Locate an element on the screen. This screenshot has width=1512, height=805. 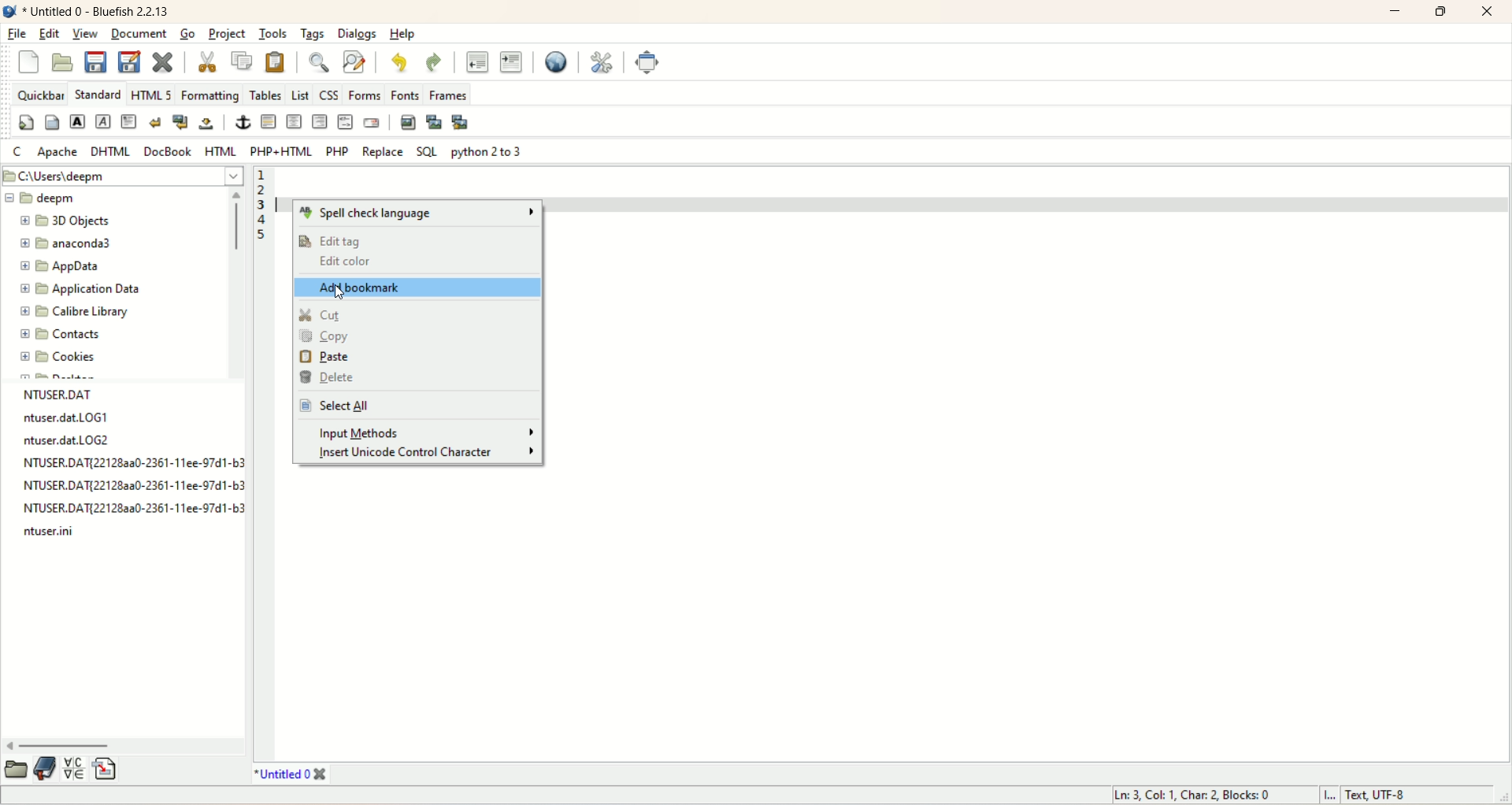
contacts is located at coordinates (61, 335).